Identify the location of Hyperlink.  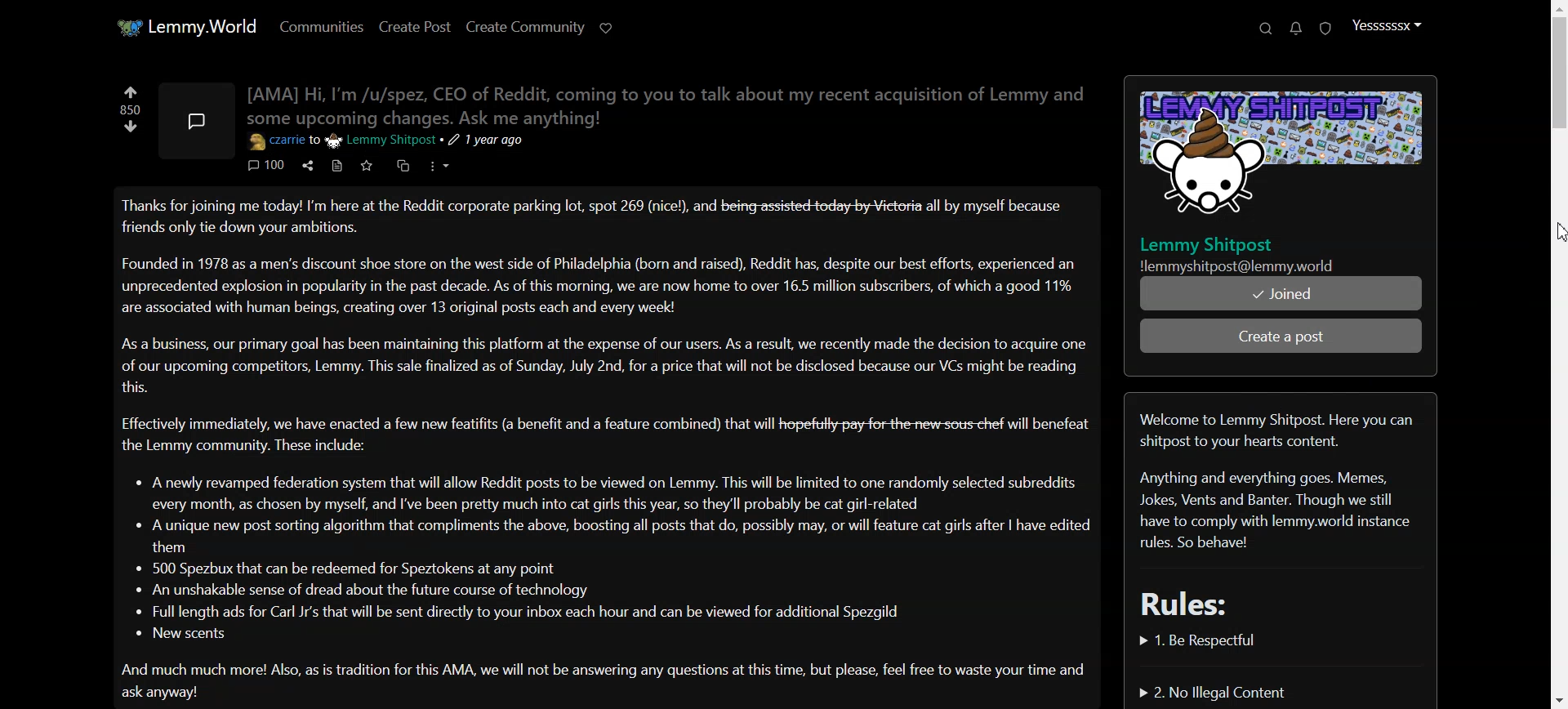
(385, 142).